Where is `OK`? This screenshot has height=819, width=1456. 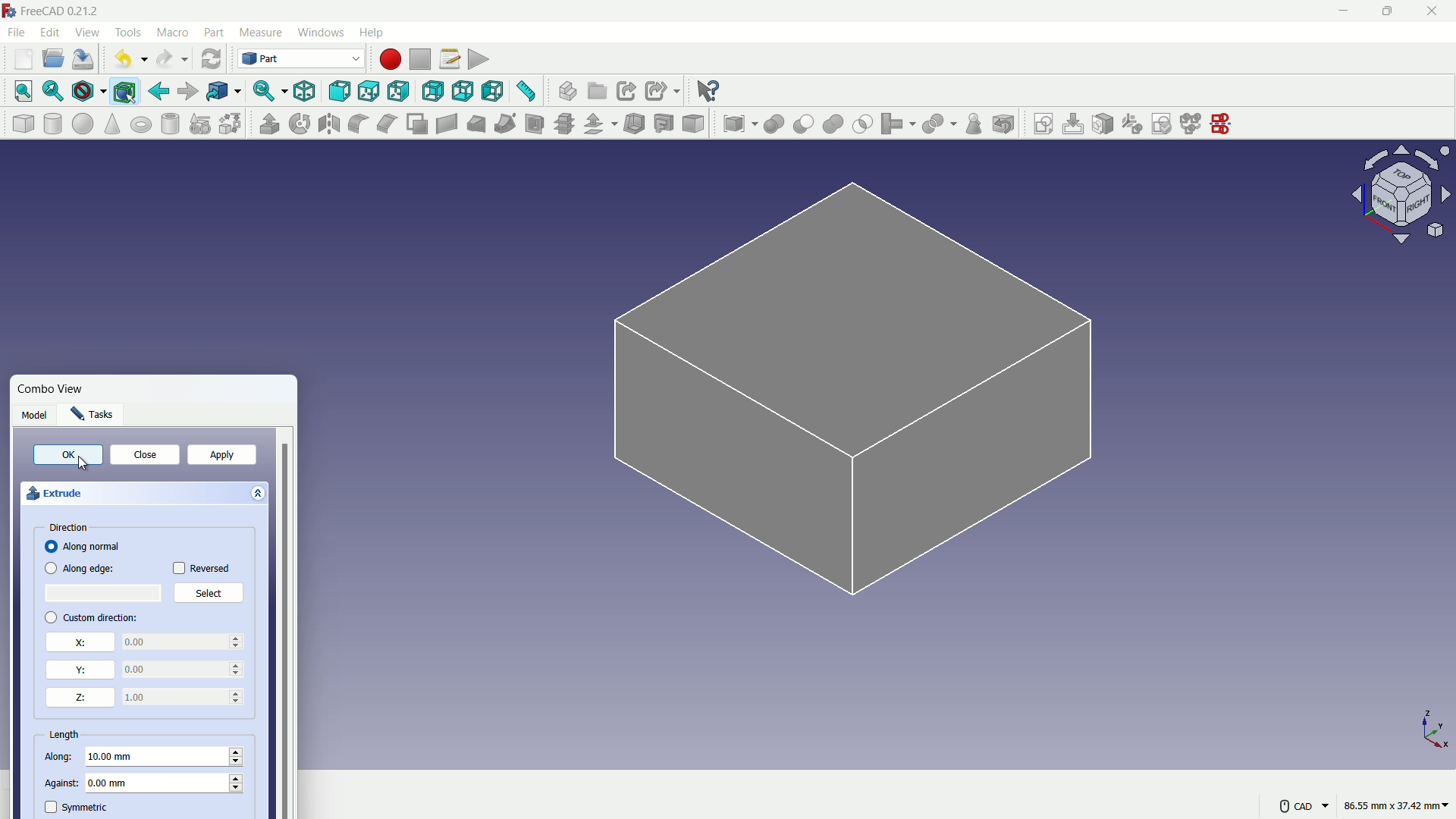 OK is located at coordinates (69, 455).